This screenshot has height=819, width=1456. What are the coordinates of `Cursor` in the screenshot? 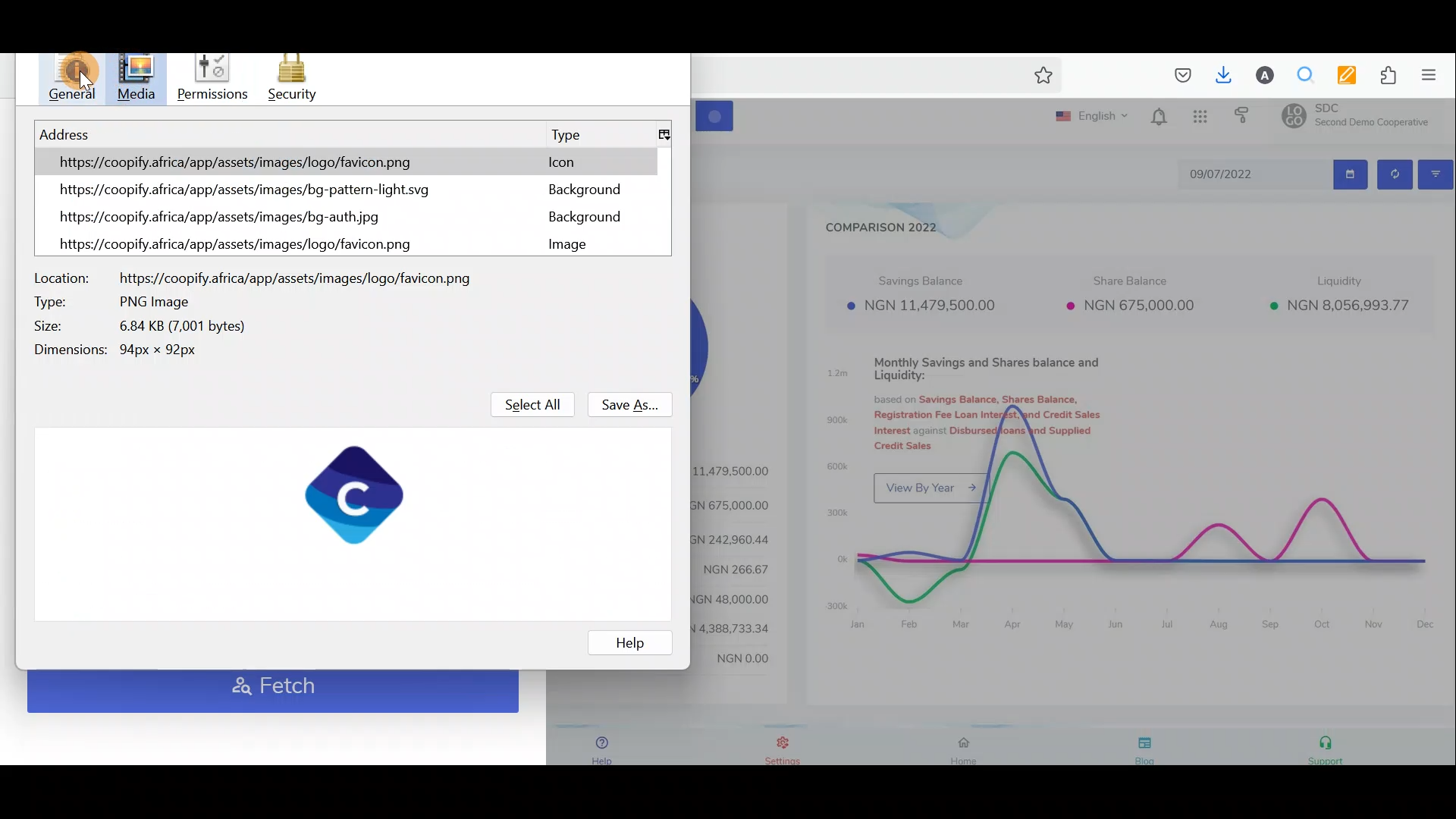 It's located at (70, 78).